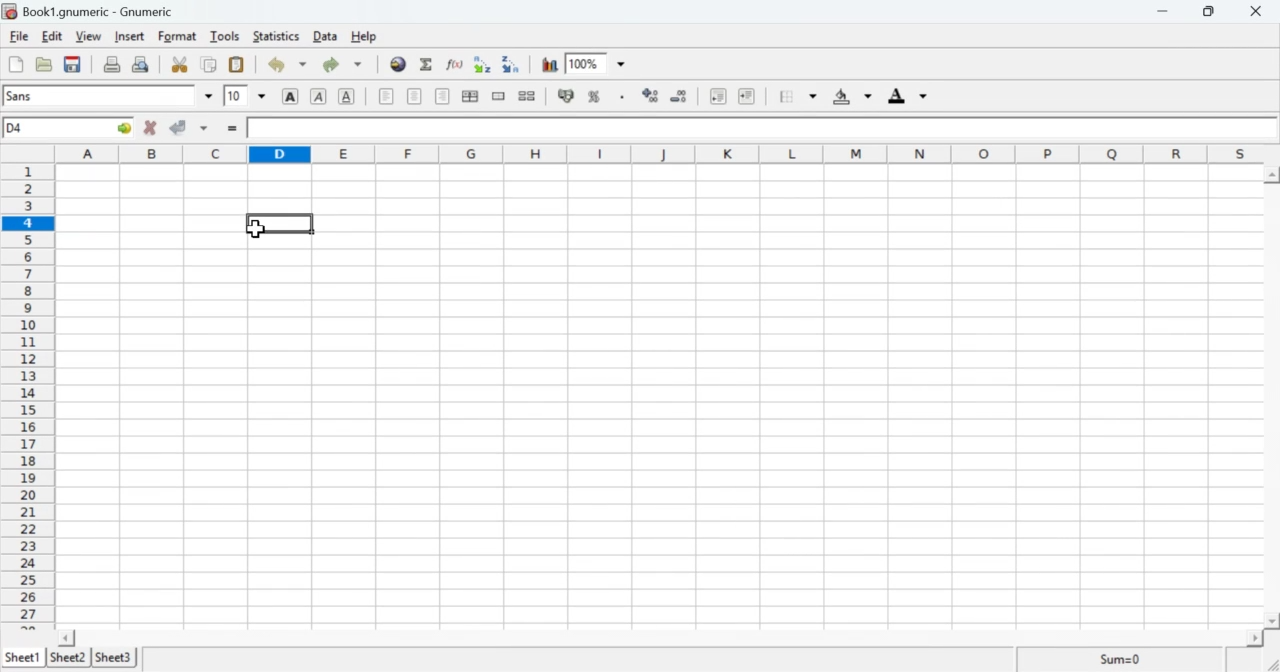  What do you see at coordinates (180, 65) in the screenshot?
I see `Cut` at bounding box center [180, 65].